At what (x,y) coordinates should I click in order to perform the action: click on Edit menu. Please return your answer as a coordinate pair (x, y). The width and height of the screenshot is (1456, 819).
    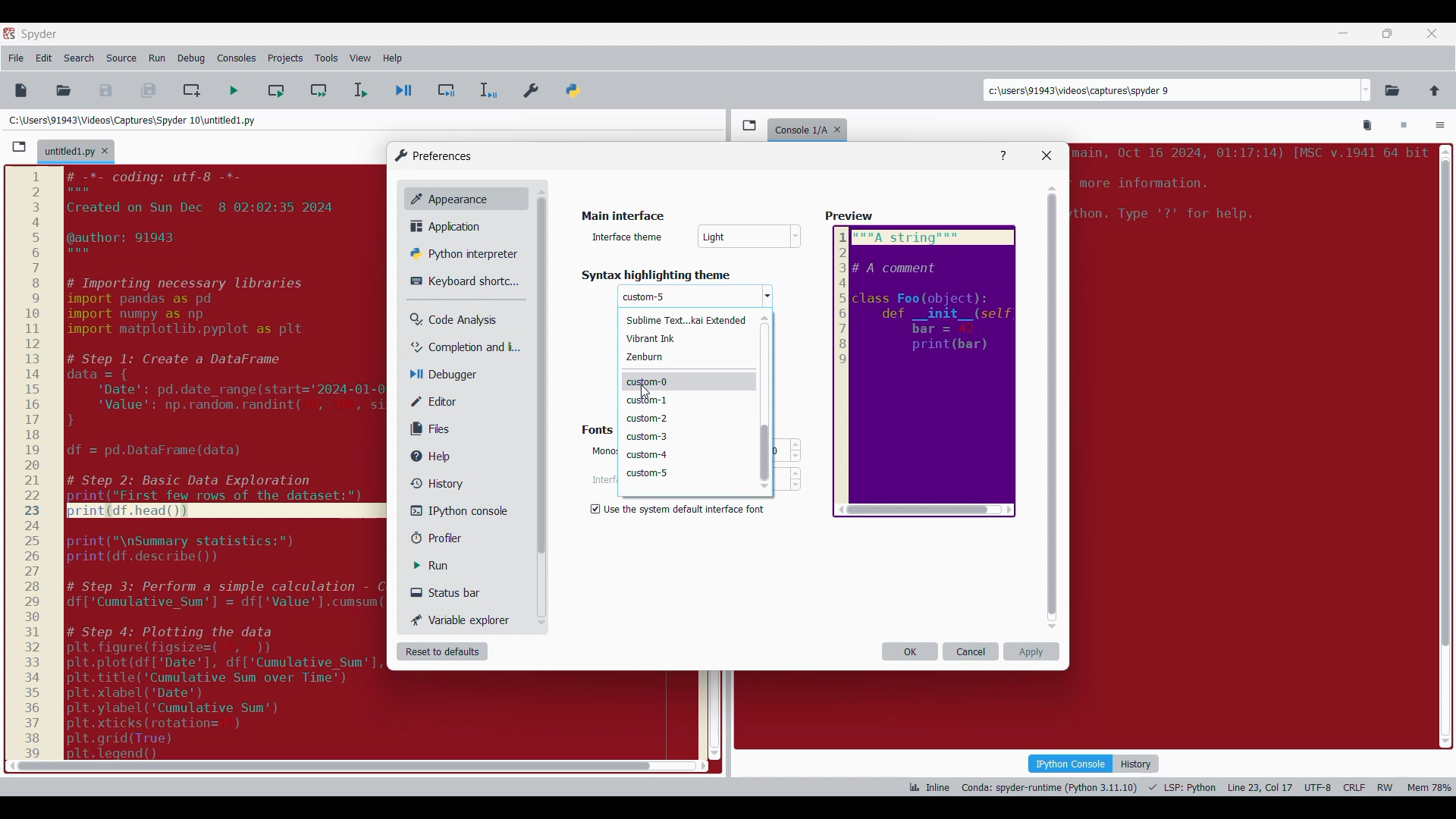
    Looking at the image, I should click on (44, 58).